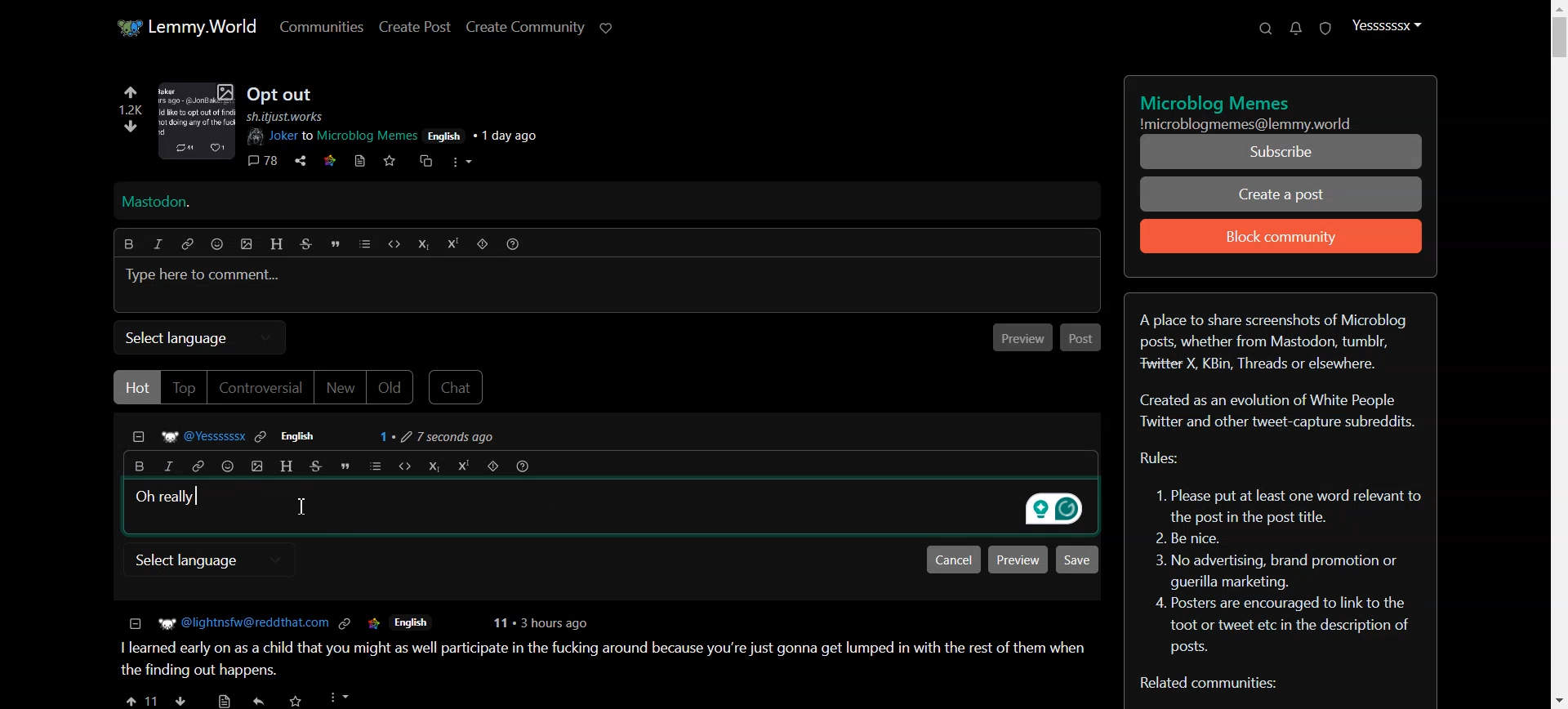 The height and width of the screenshot is (709, 1568). Describe the element at coordinates (1083, 337) in the screenshot. I see `Post` at that location.